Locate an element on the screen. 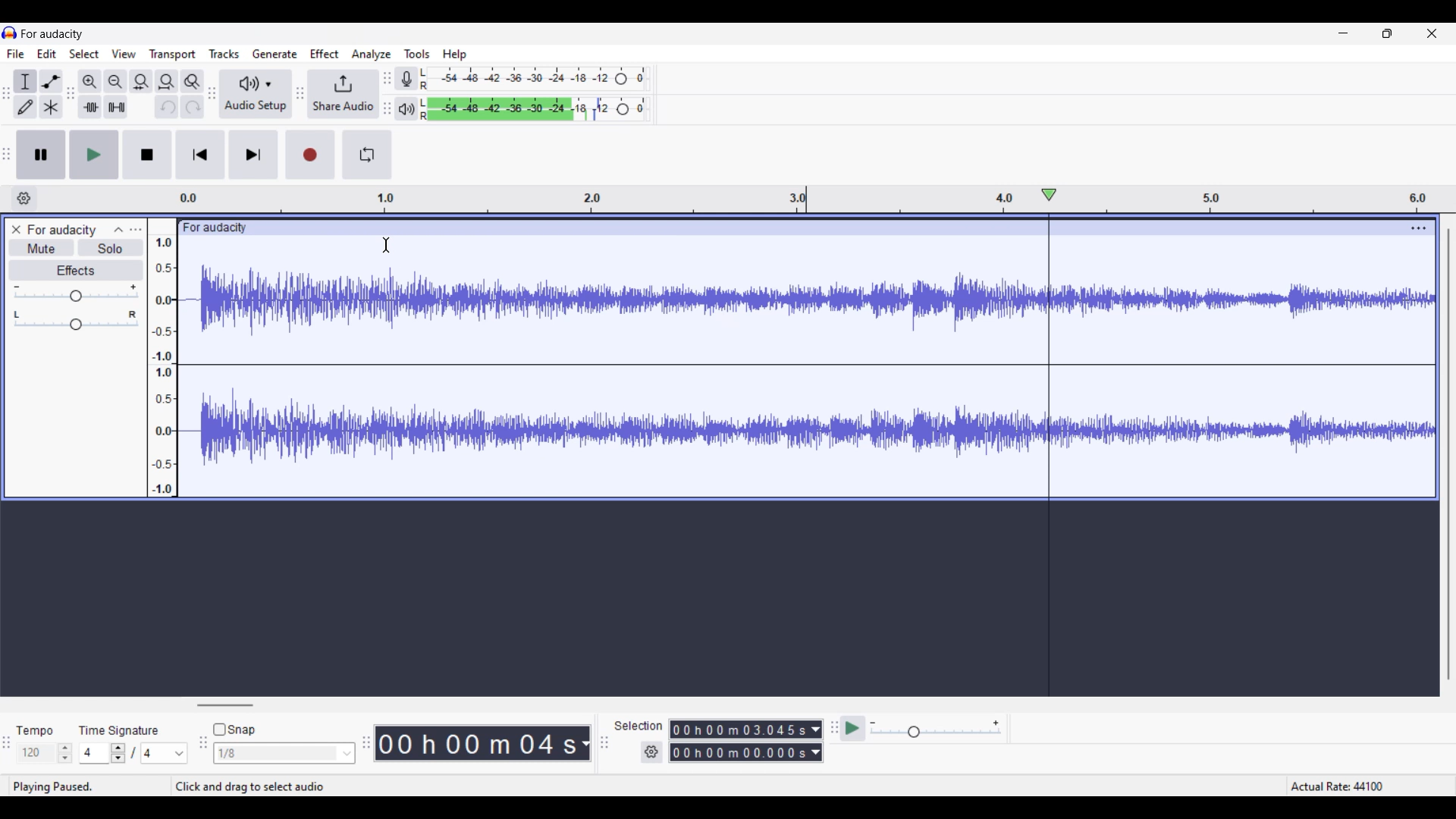 The width and height of the screenshot is (1456, 819). Duration measurement options is located at coordinates (585, 743).